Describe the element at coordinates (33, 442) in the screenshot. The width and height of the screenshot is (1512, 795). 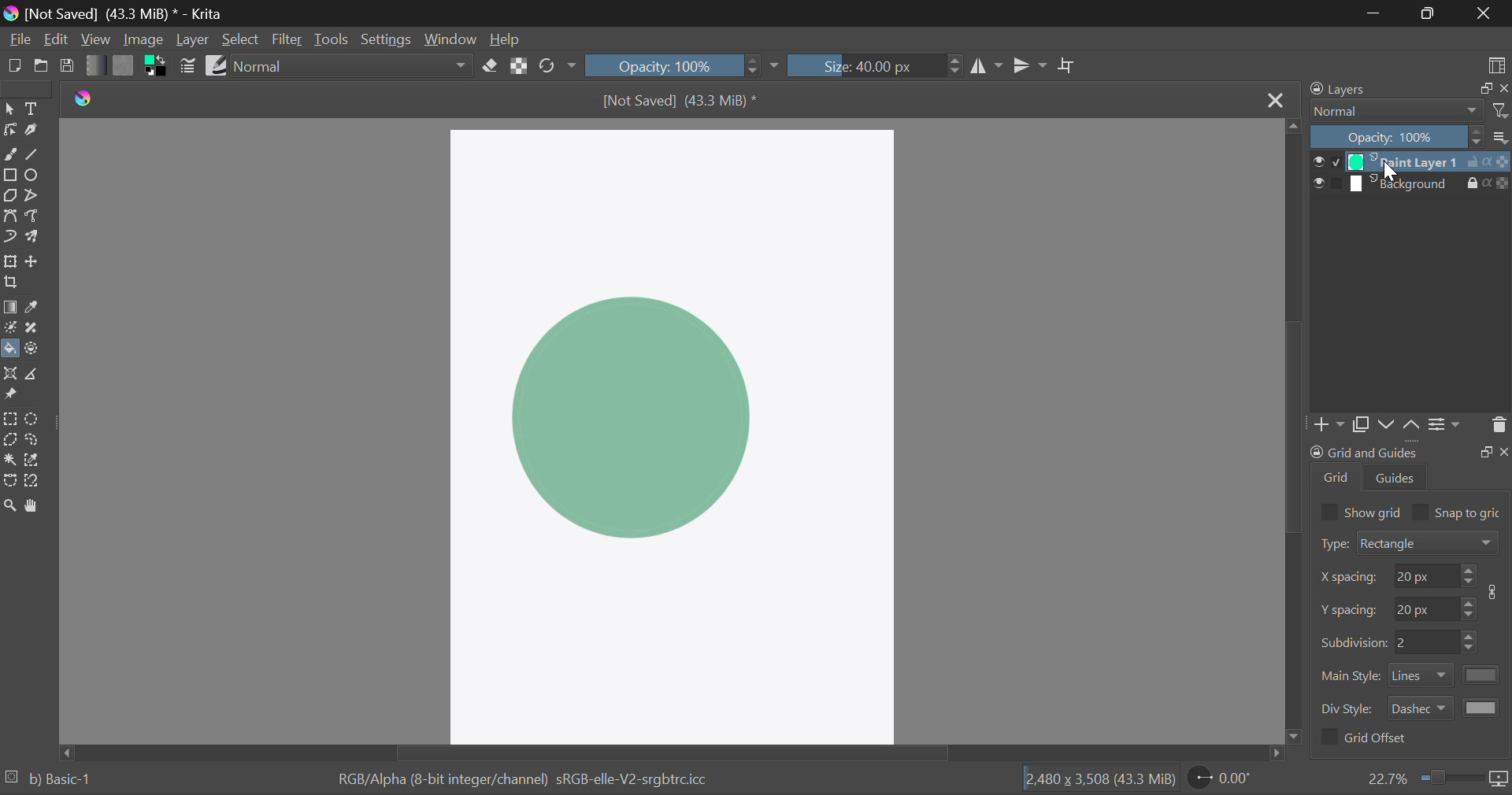
I see `Freehand Selection` at that location.